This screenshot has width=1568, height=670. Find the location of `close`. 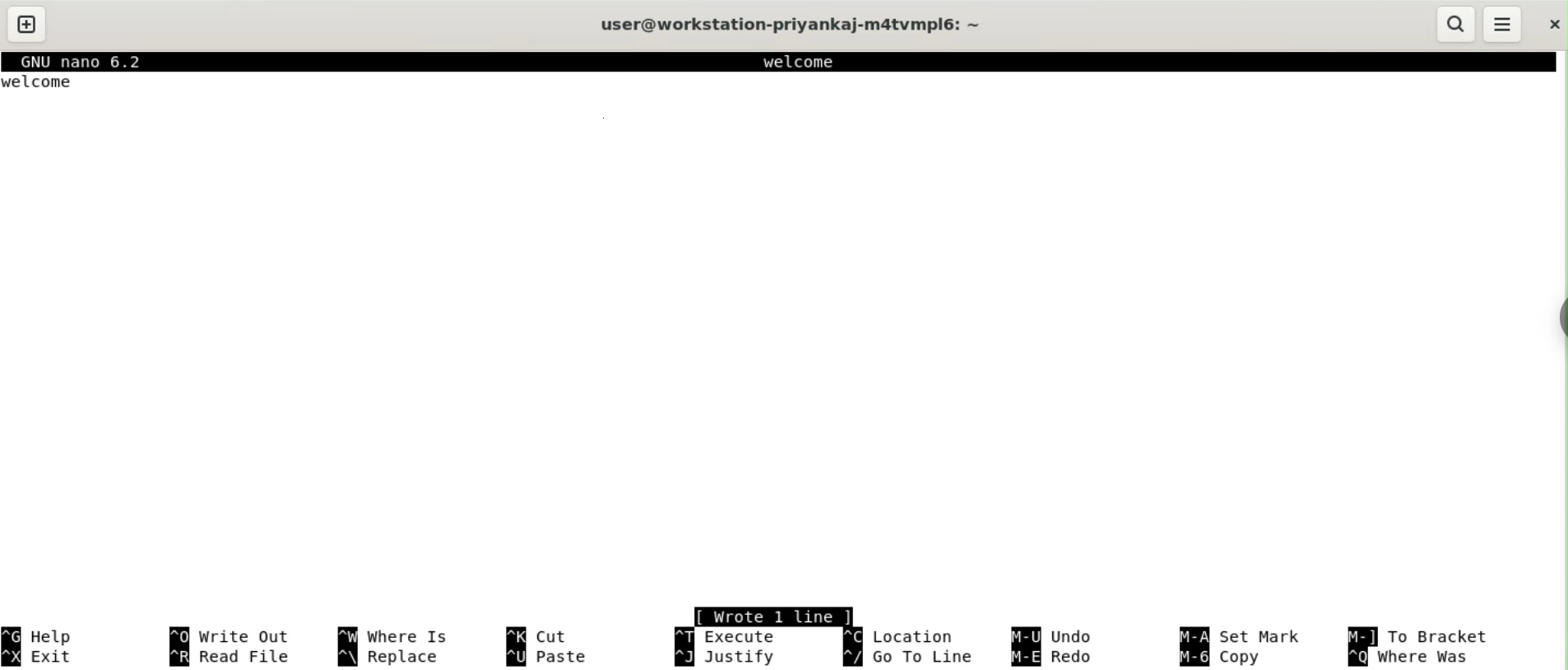

close is located at coordinates (1549, 25).